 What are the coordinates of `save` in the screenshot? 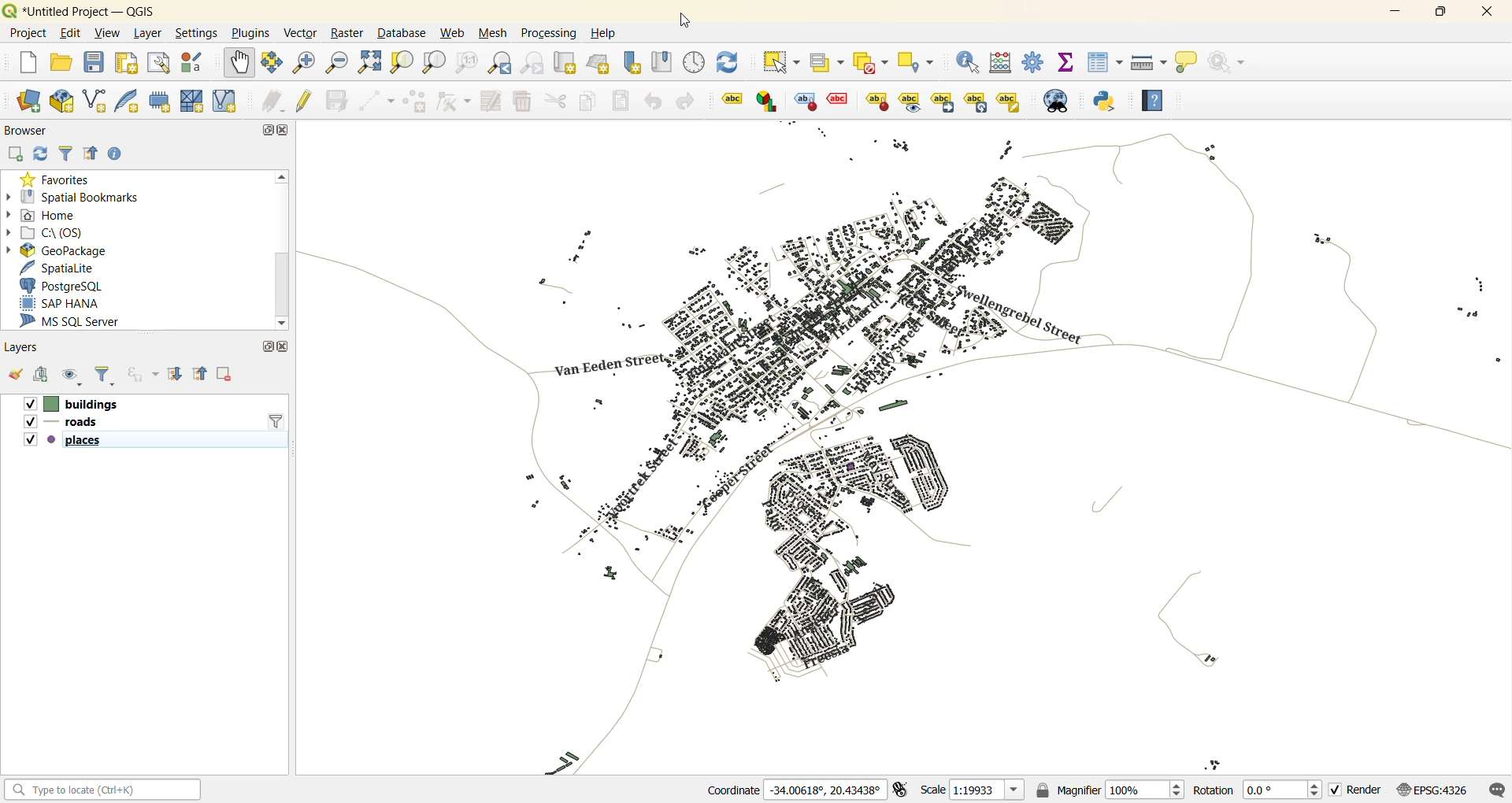 It's located at (94, 64).